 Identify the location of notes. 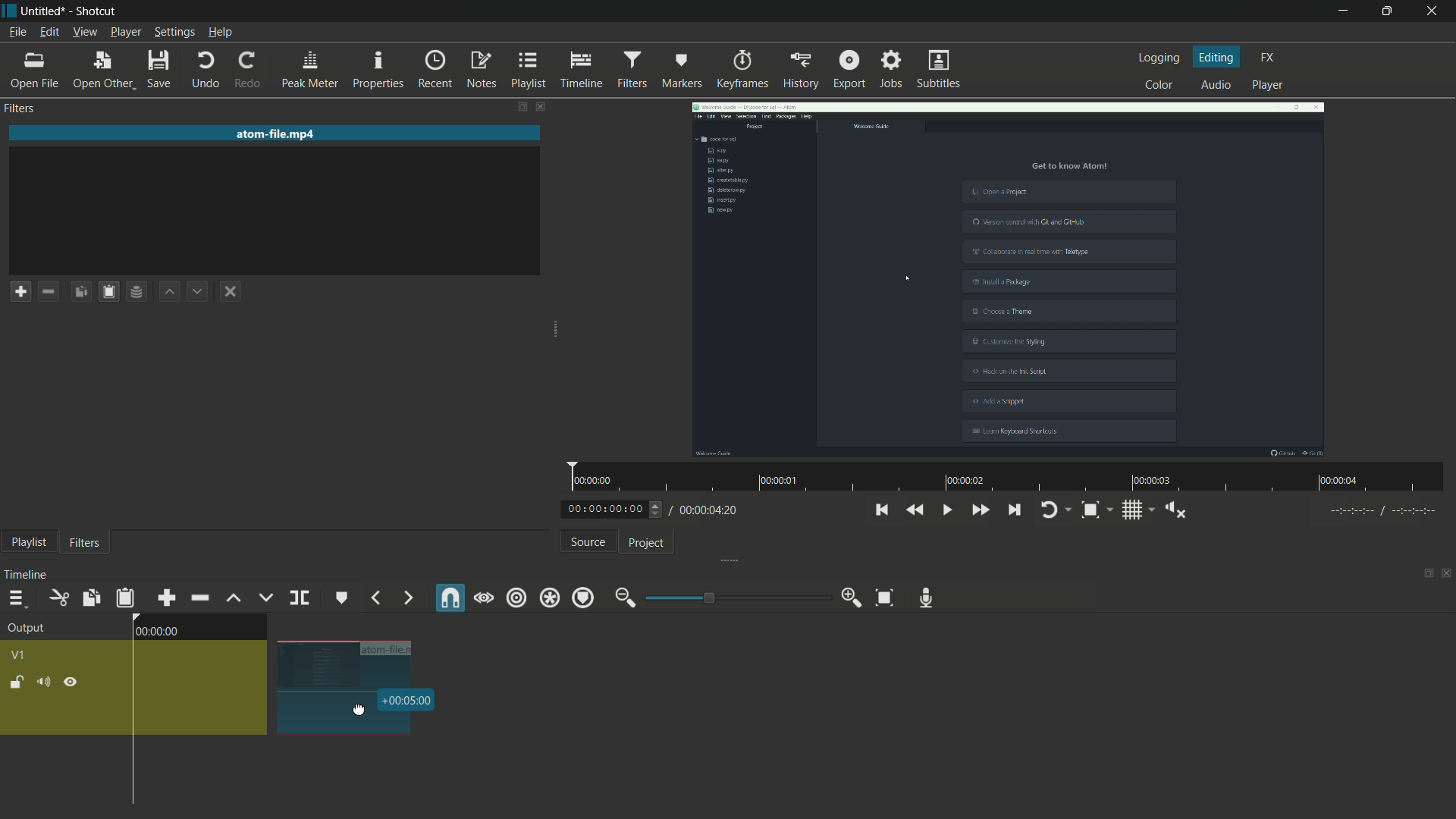
(479, 68).